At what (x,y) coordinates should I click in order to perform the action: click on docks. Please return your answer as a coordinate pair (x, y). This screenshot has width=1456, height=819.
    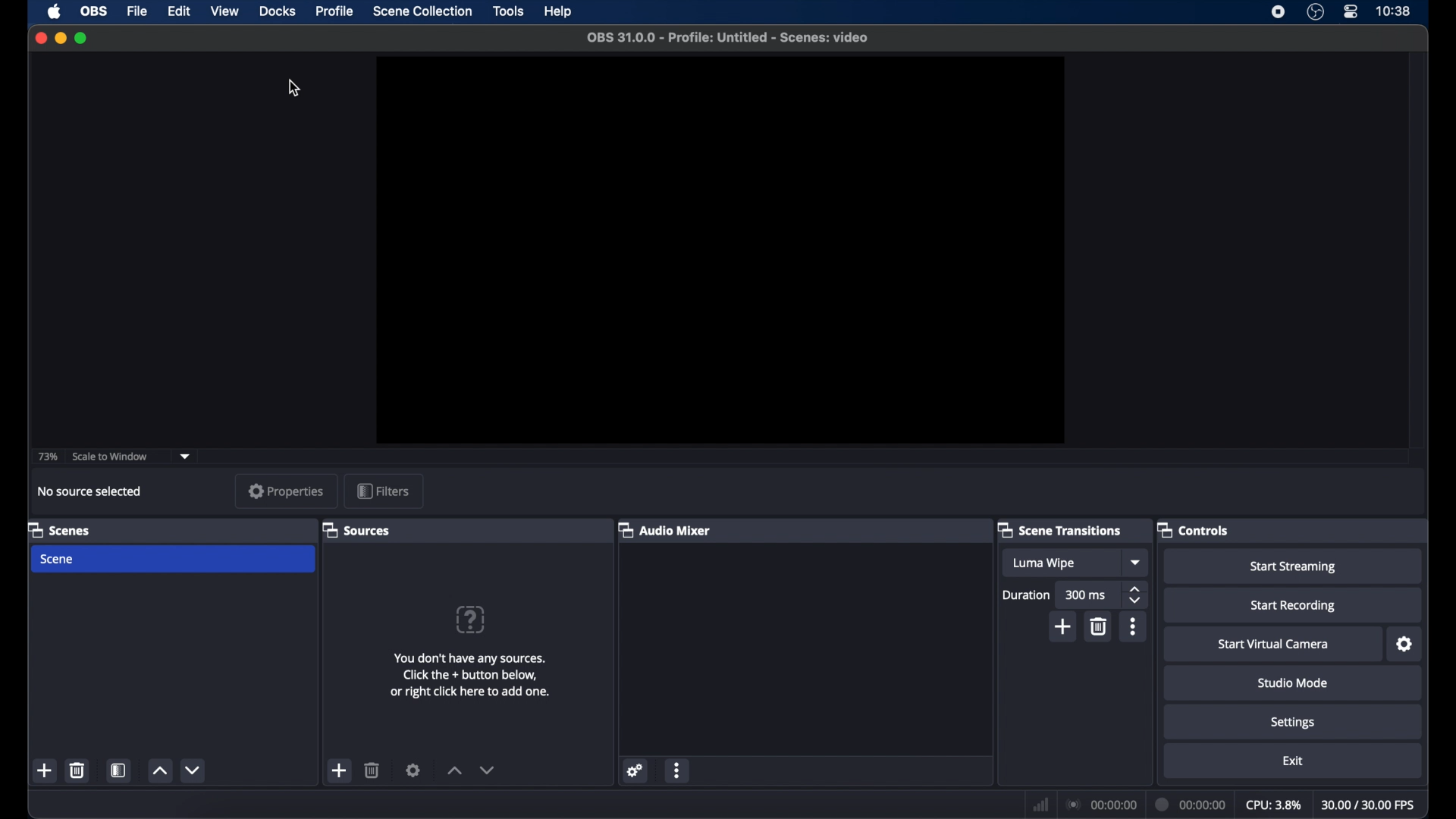
    Looking at the image, I should click on (278, 12).